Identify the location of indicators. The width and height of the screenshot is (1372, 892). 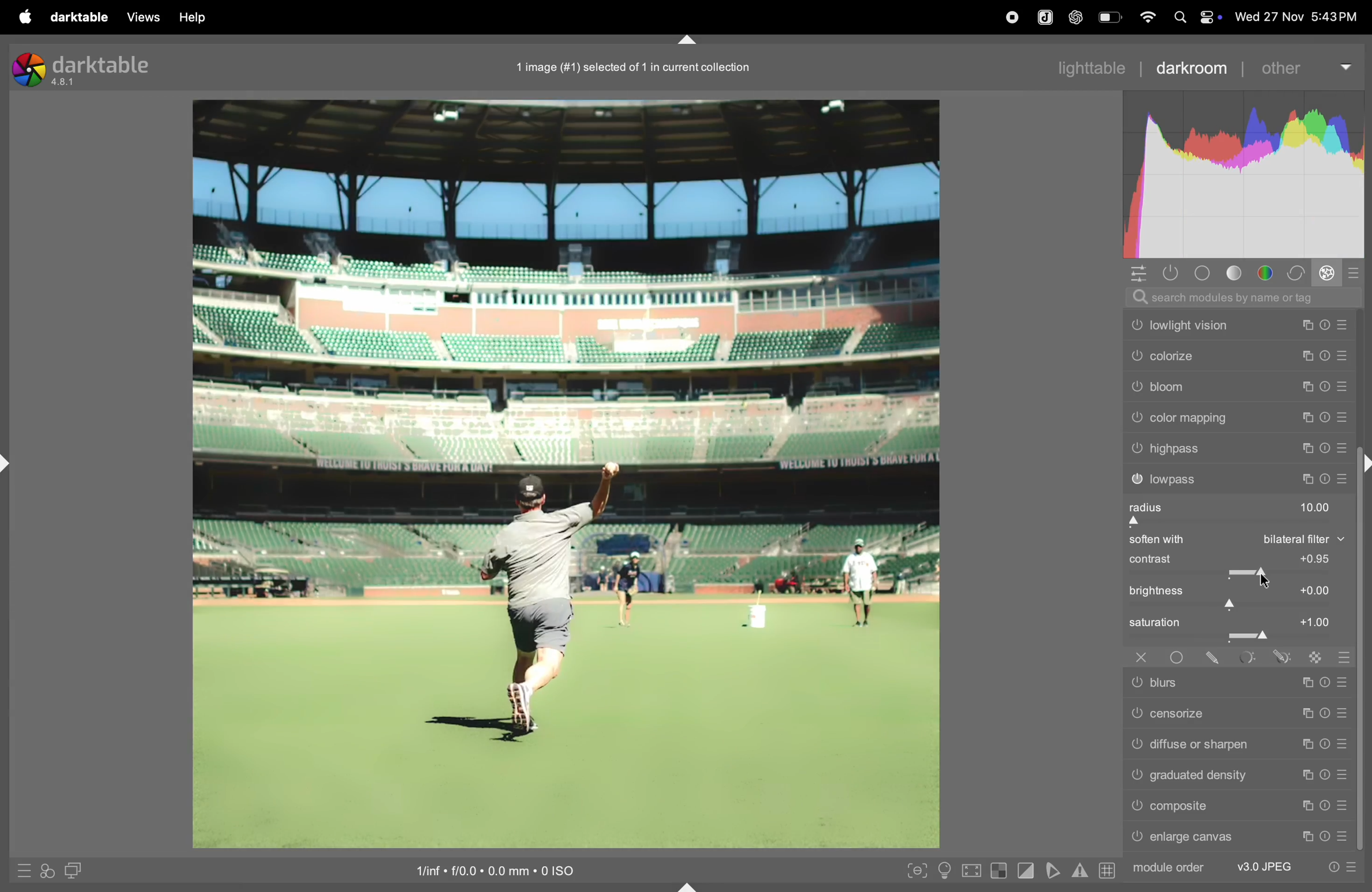
(1078, 869).